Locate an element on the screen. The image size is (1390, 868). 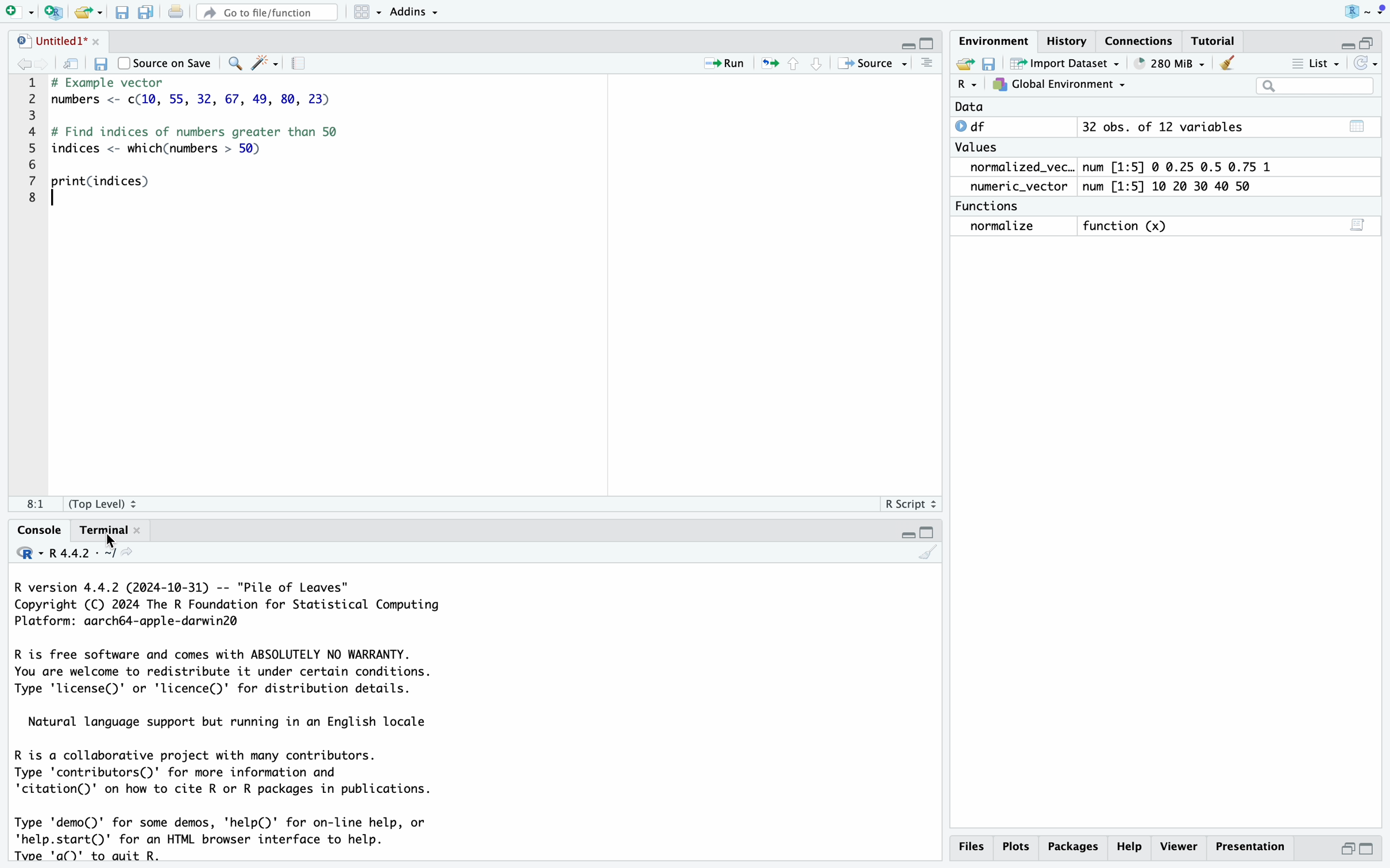
Environment is located at coordinates (993, 42).